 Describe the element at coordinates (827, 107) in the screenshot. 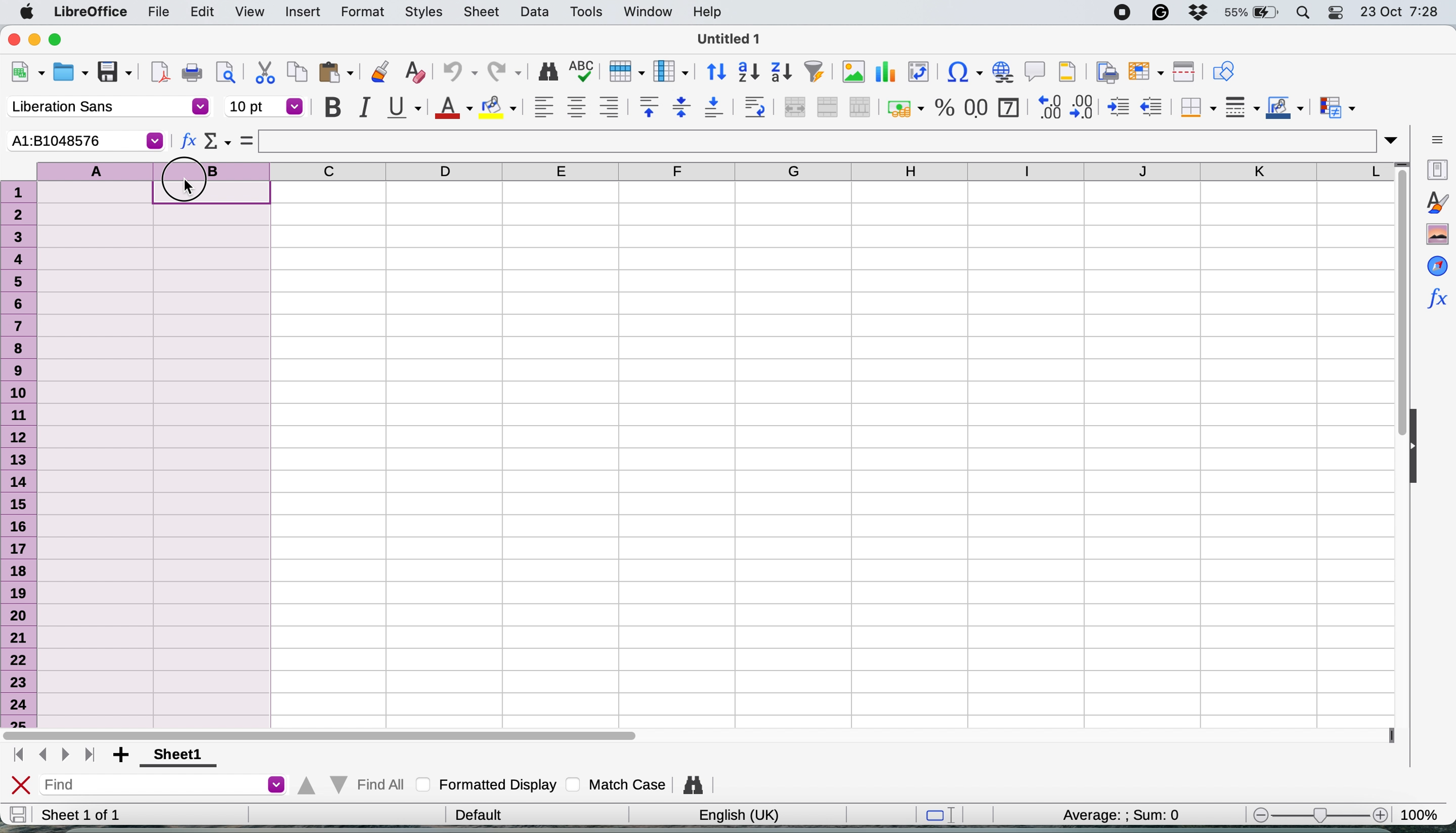

I see `merge` at that location.